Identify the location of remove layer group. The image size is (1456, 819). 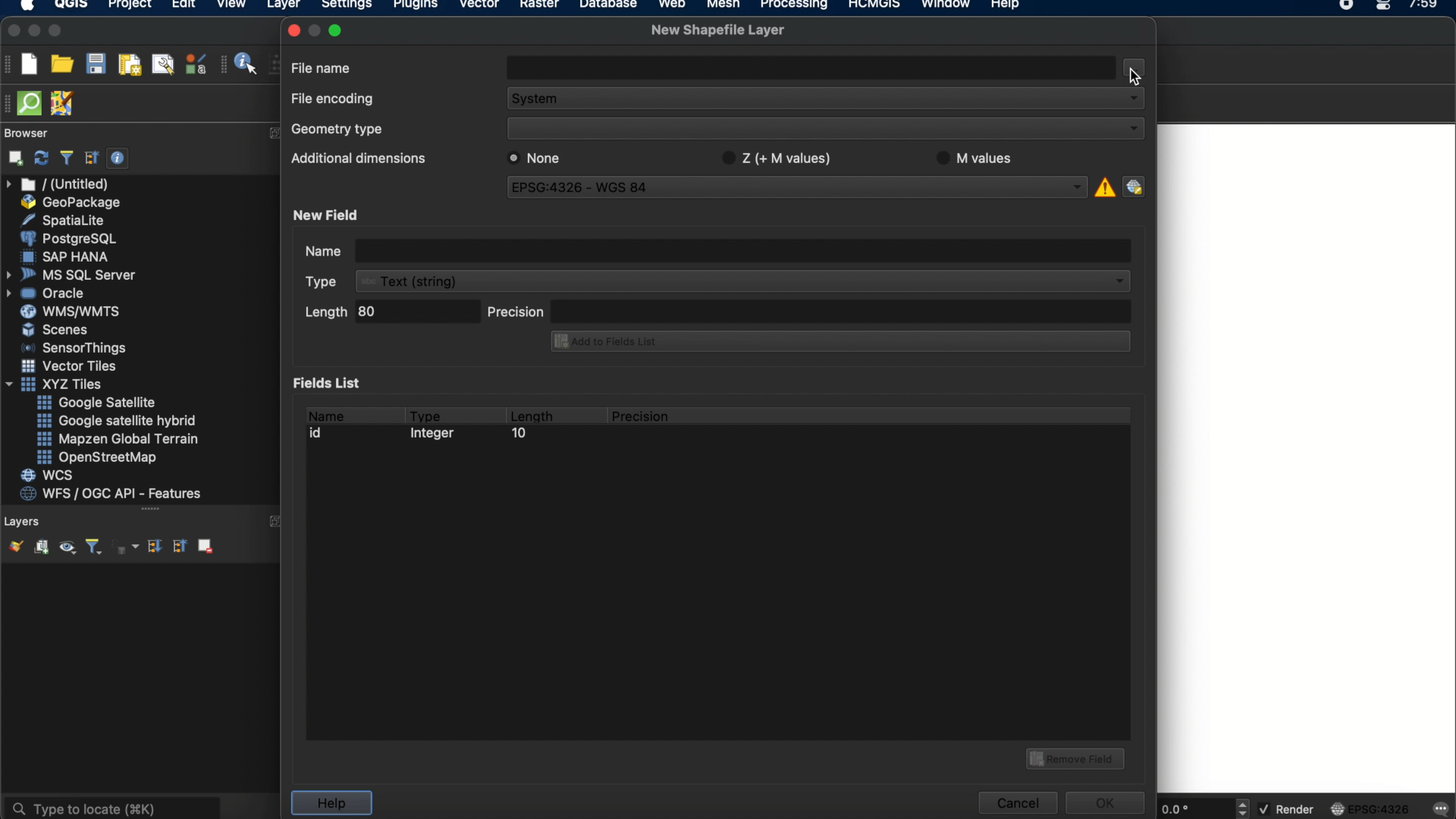
(204, 545).